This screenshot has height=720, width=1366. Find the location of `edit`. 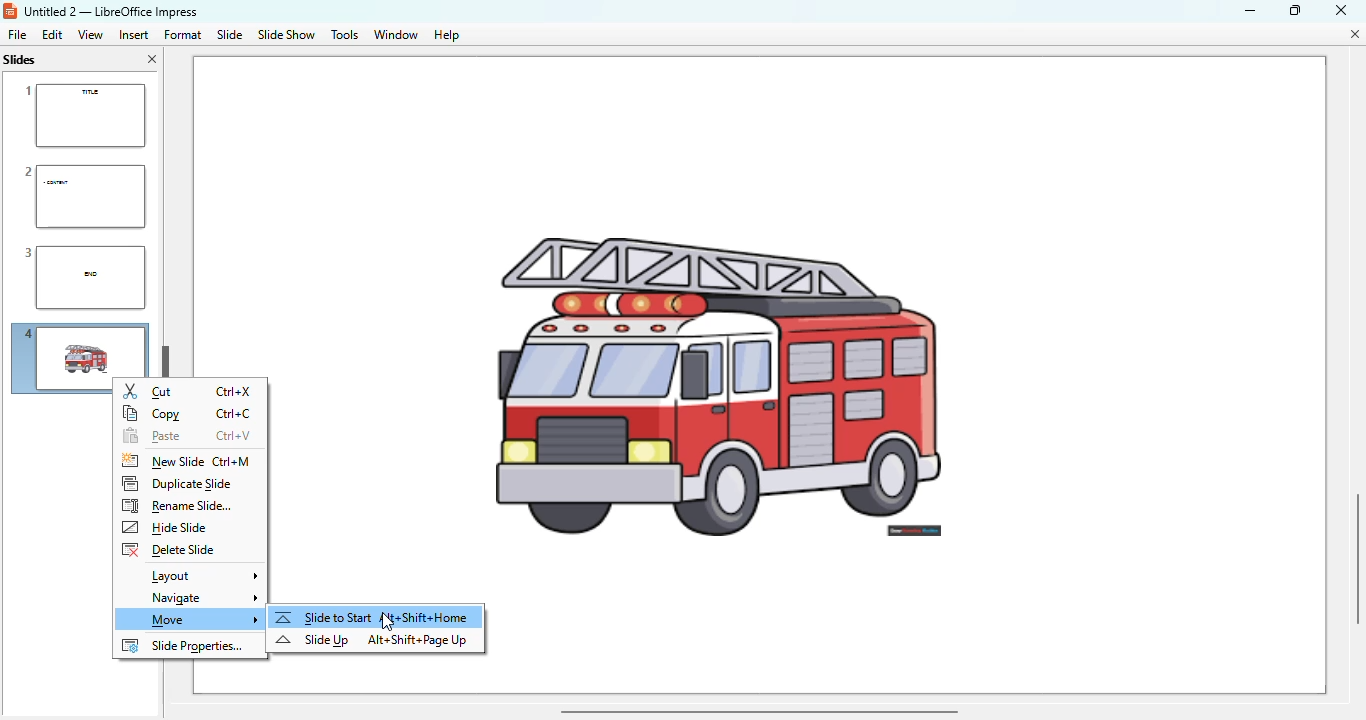

edit is located at coordinates (52, 34).